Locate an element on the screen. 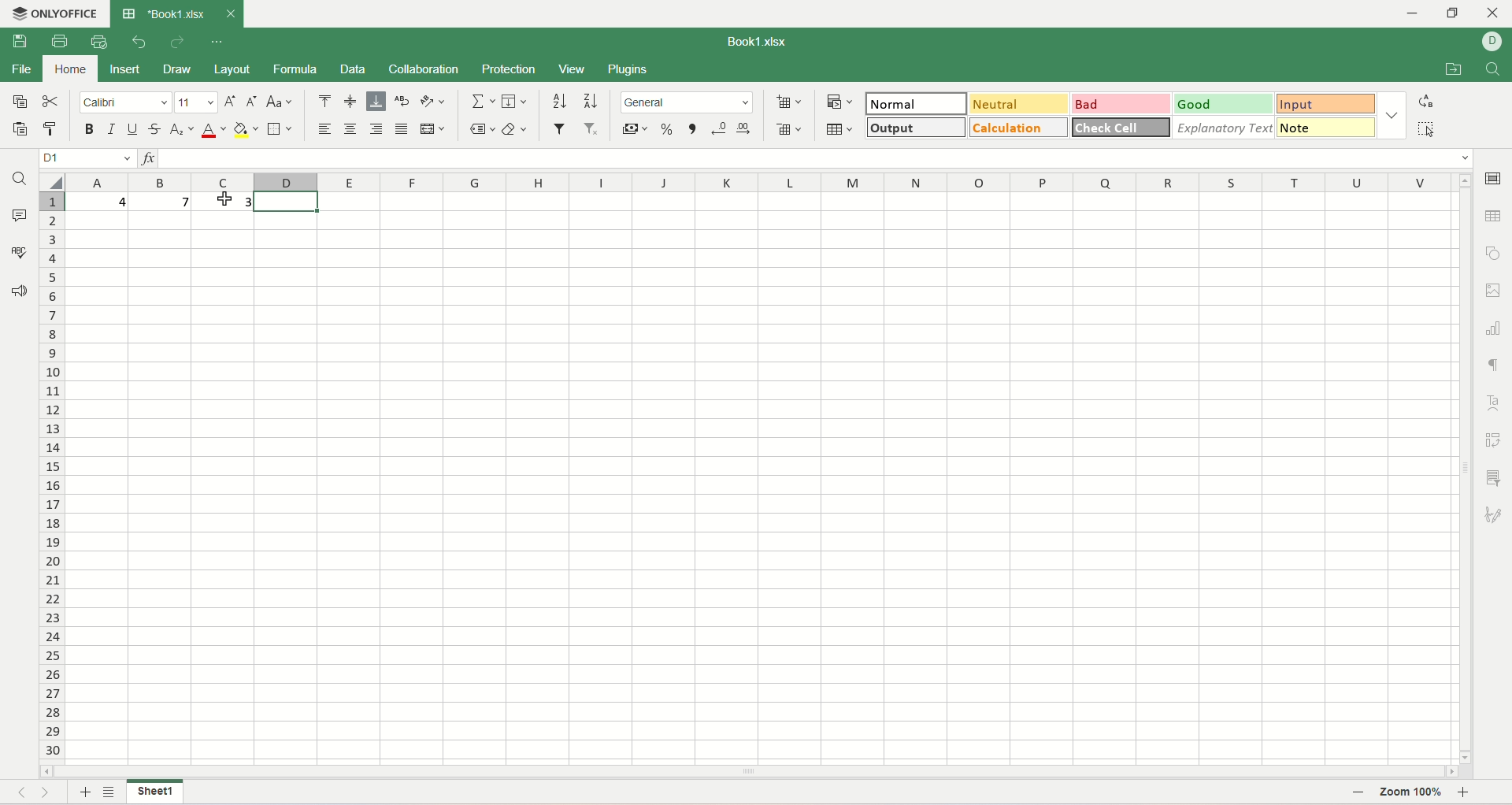  row number is located at coordinates (54, 472).